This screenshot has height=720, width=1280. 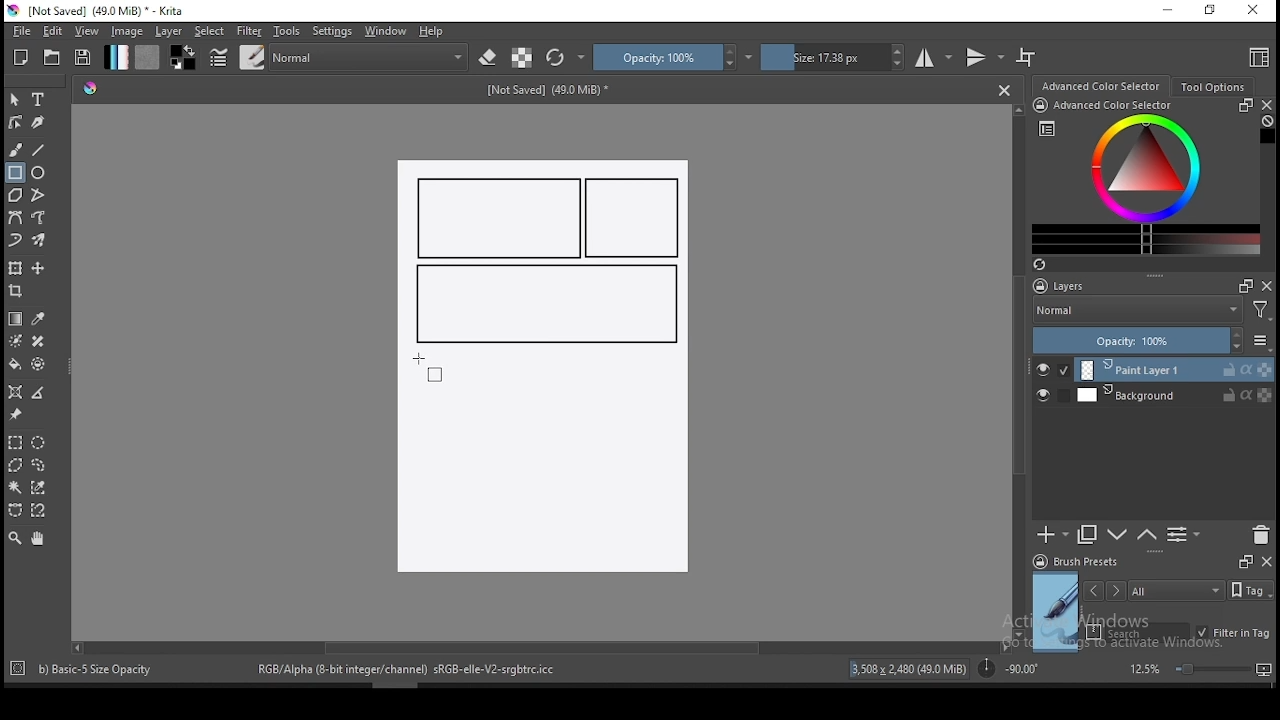 What do you see at coordinates (36, 510) in the screenshot?
I see `magnetic curve selection tool` at bounding box center [36, 510].